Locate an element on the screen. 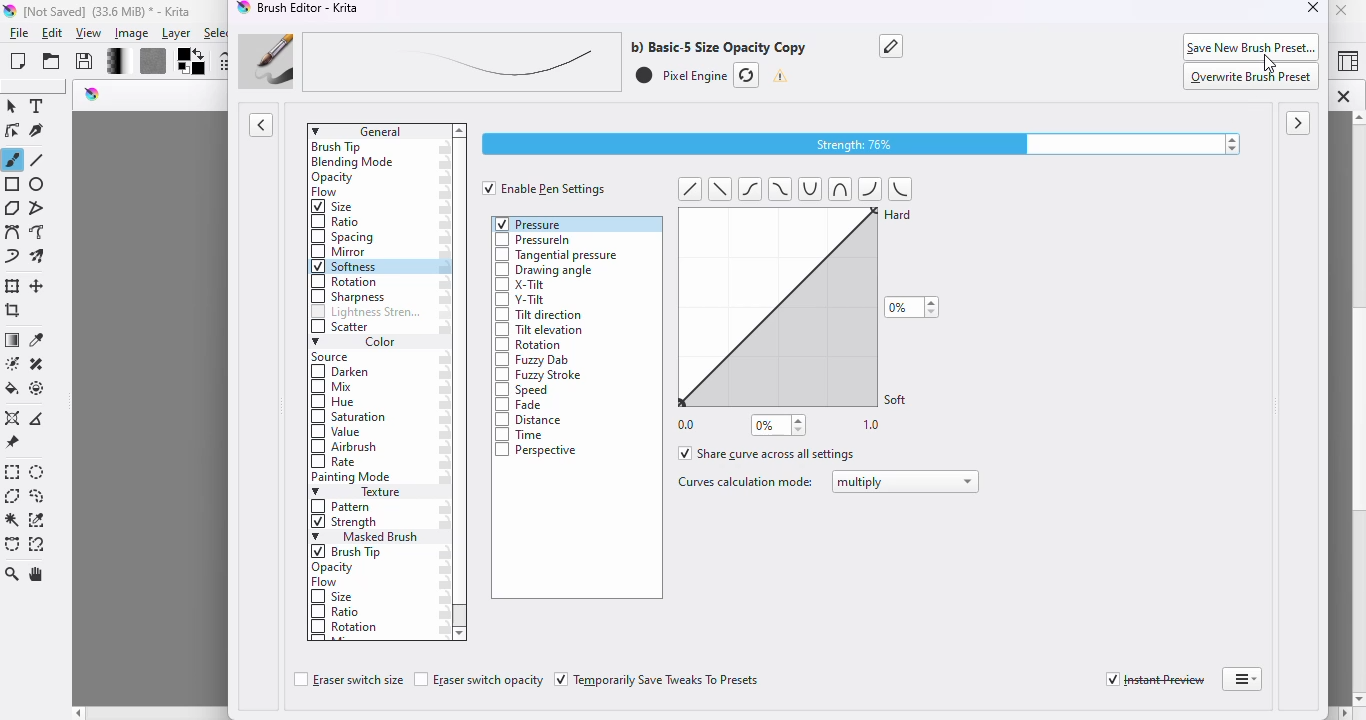  [Not Saved] (33.6 MiB) * - Krita is located at coordinates (117, 11).